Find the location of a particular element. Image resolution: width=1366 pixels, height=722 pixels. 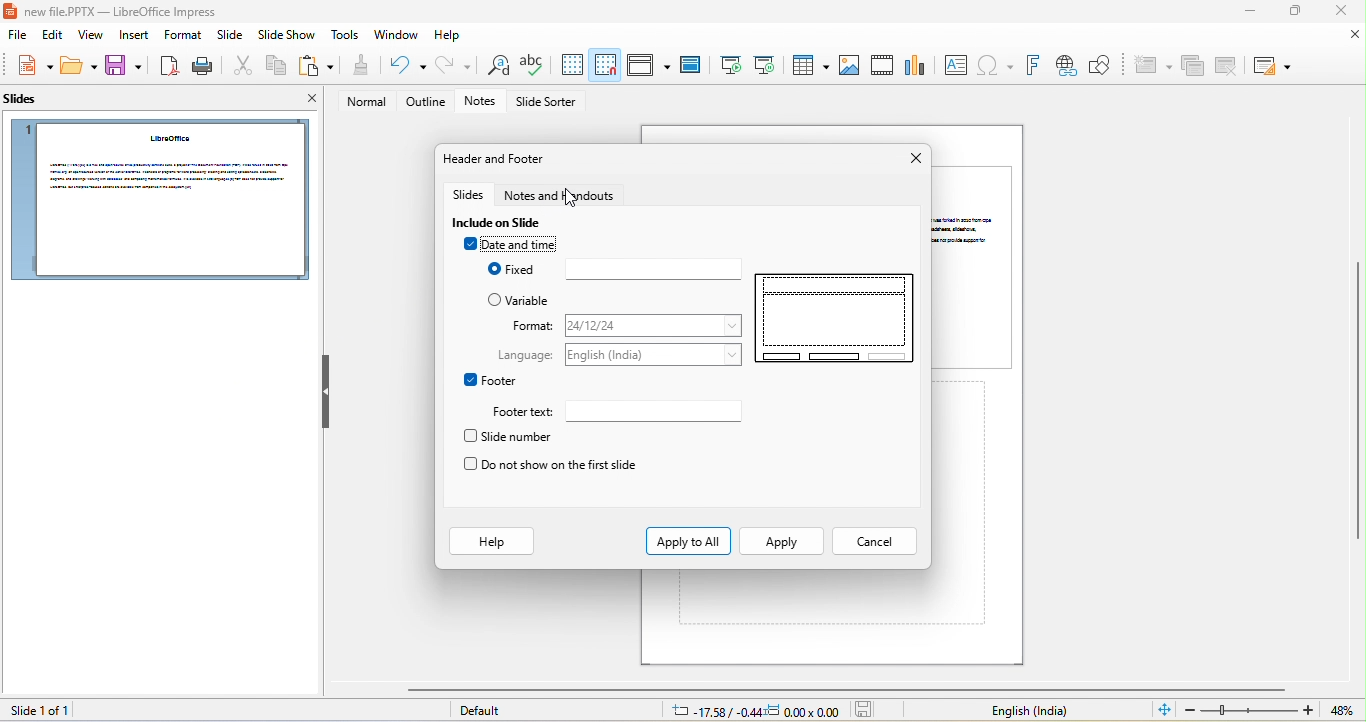

close is located at coordinates (304, 101).